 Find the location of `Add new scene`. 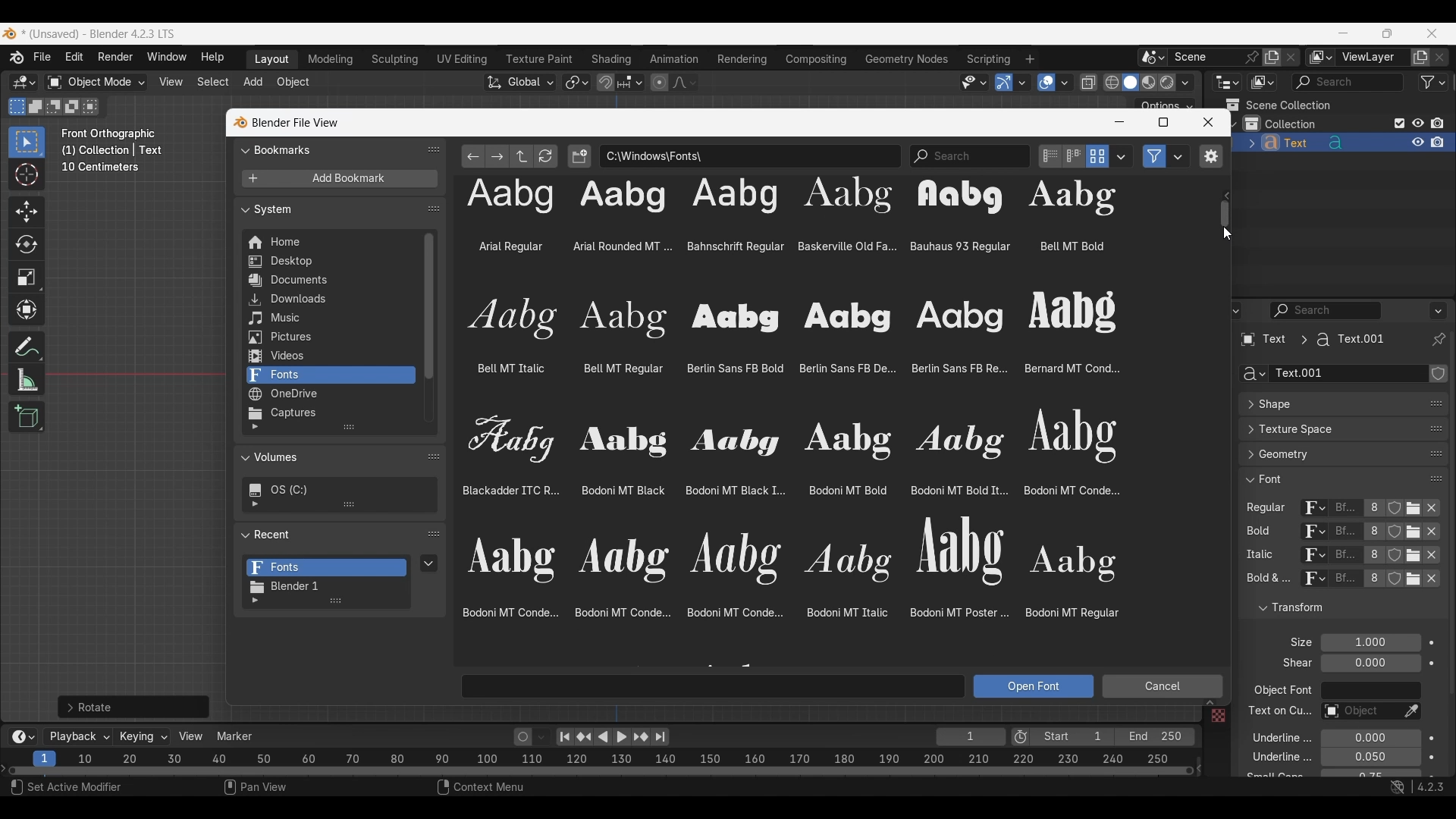

Add new scene is located at coordinates (1272, 58).